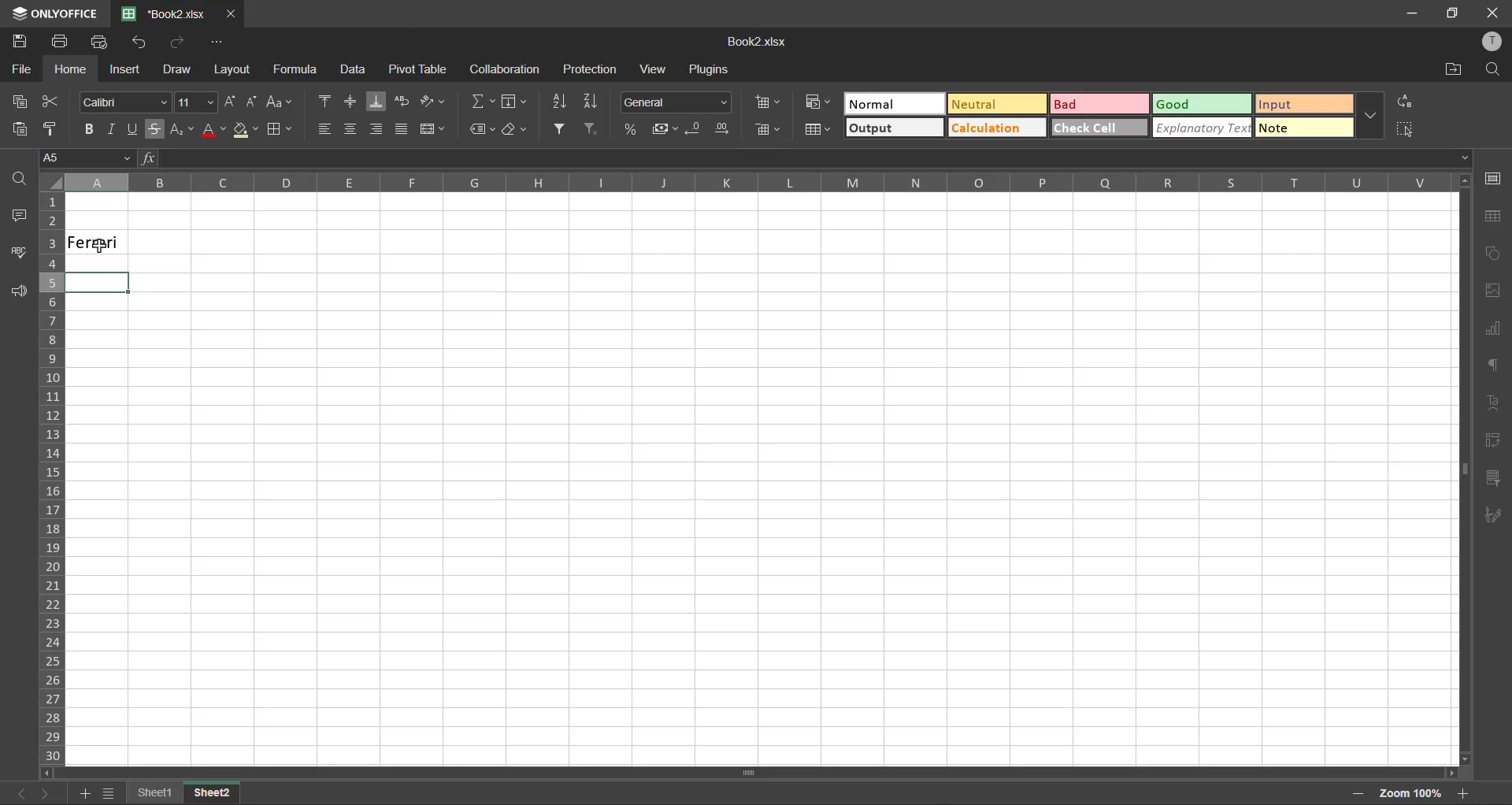  I want to click on wrap text, so click(404, 99).